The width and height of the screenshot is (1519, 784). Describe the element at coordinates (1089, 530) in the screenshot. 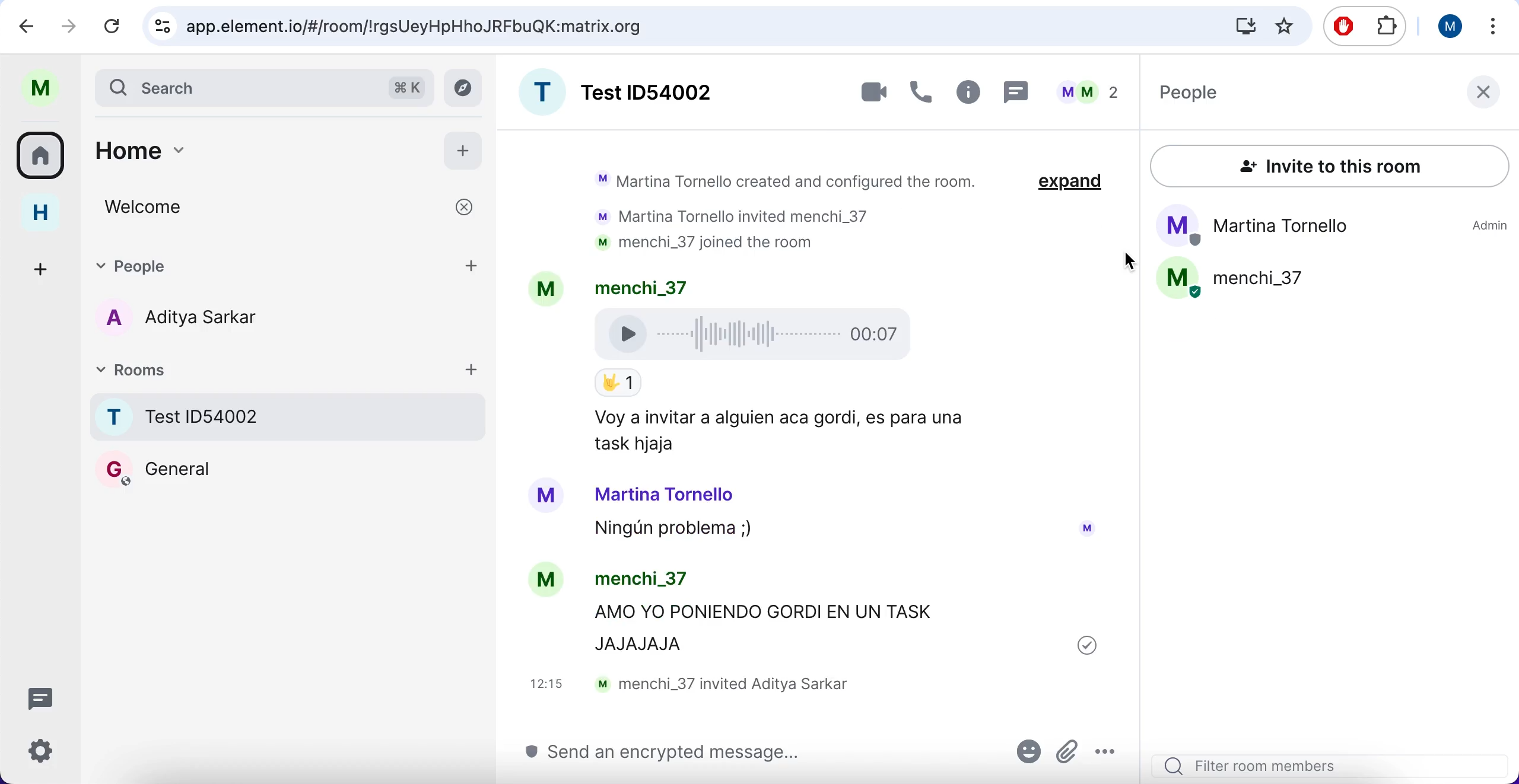

I see `Avatar` at that location.